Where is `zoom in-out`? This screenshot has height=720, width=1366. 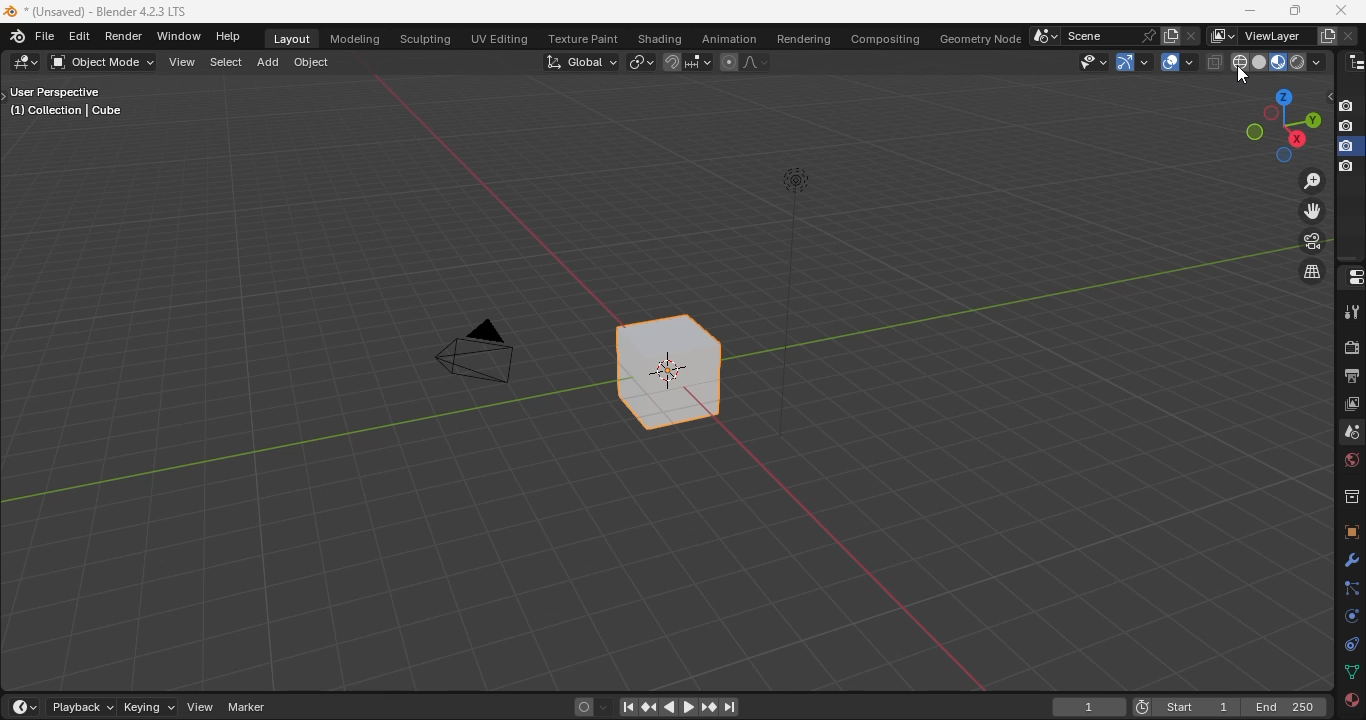
zoom in-out is located at coordinates (1311, 181).